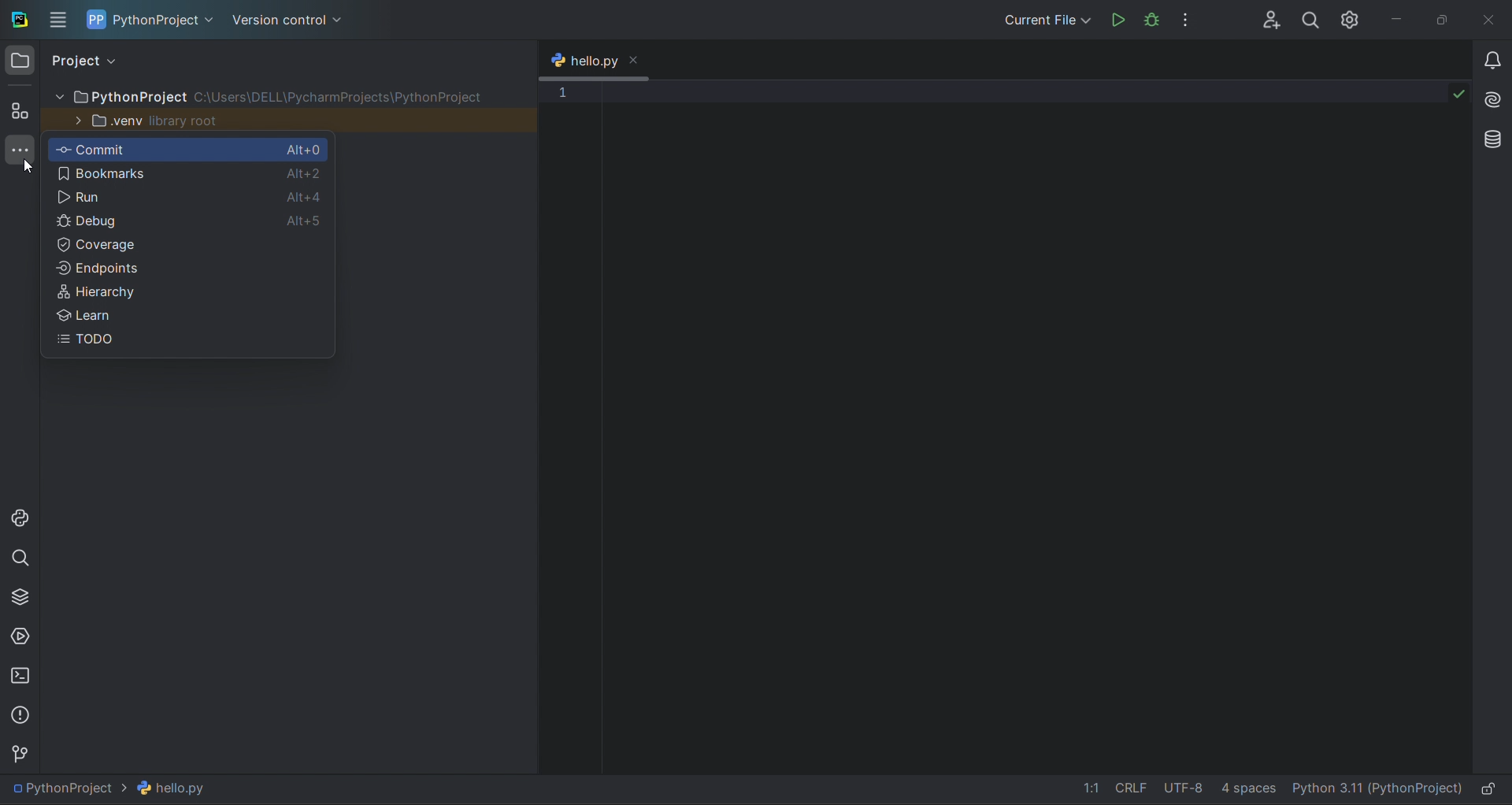  What do you see at coordinates (20, 750) in the screenshot?
I see `version control` at bounding box center [20, 750].